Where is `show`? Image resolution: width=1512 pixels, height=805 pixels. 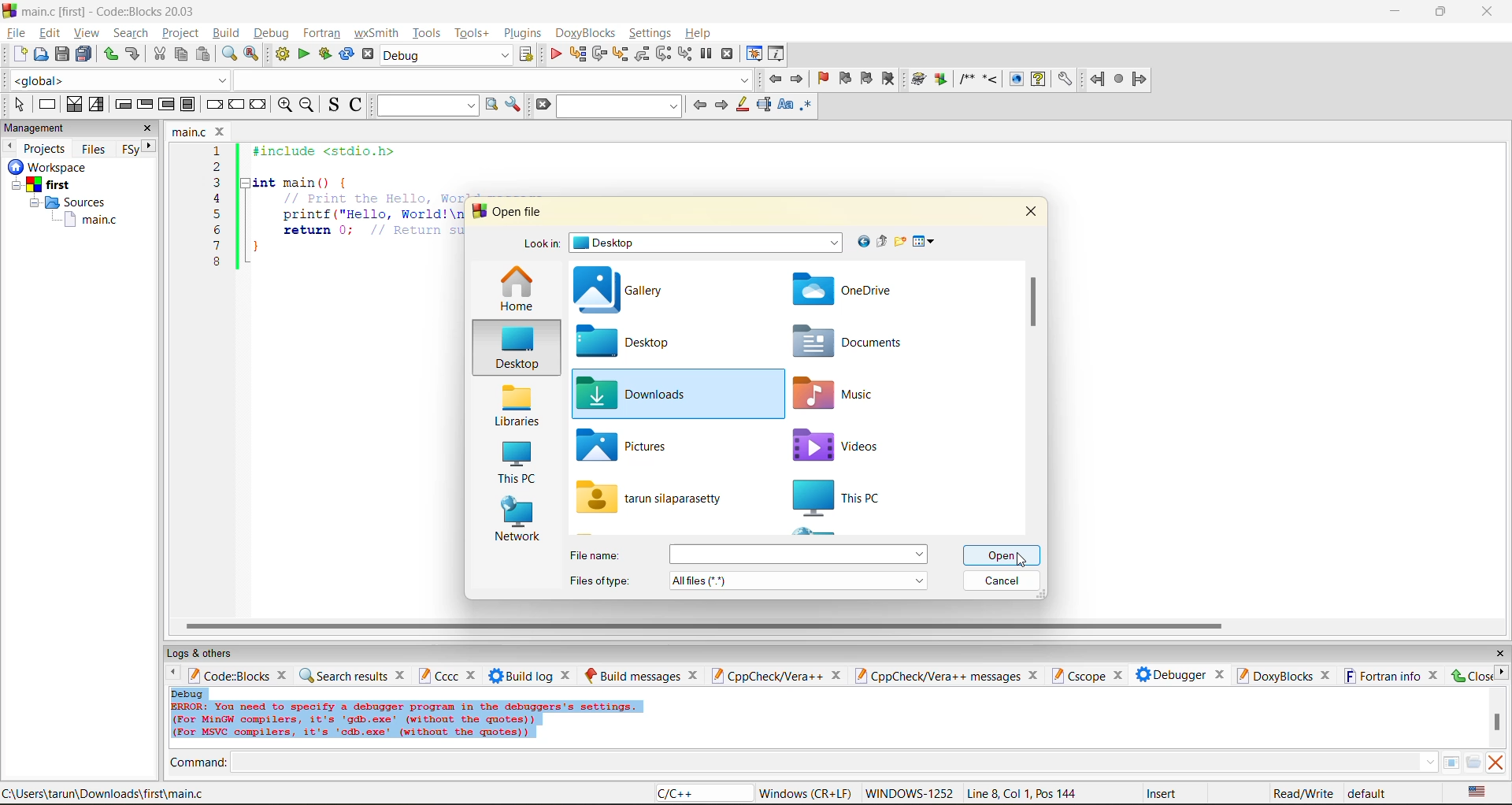
show is located at coordinates (1014, 79).